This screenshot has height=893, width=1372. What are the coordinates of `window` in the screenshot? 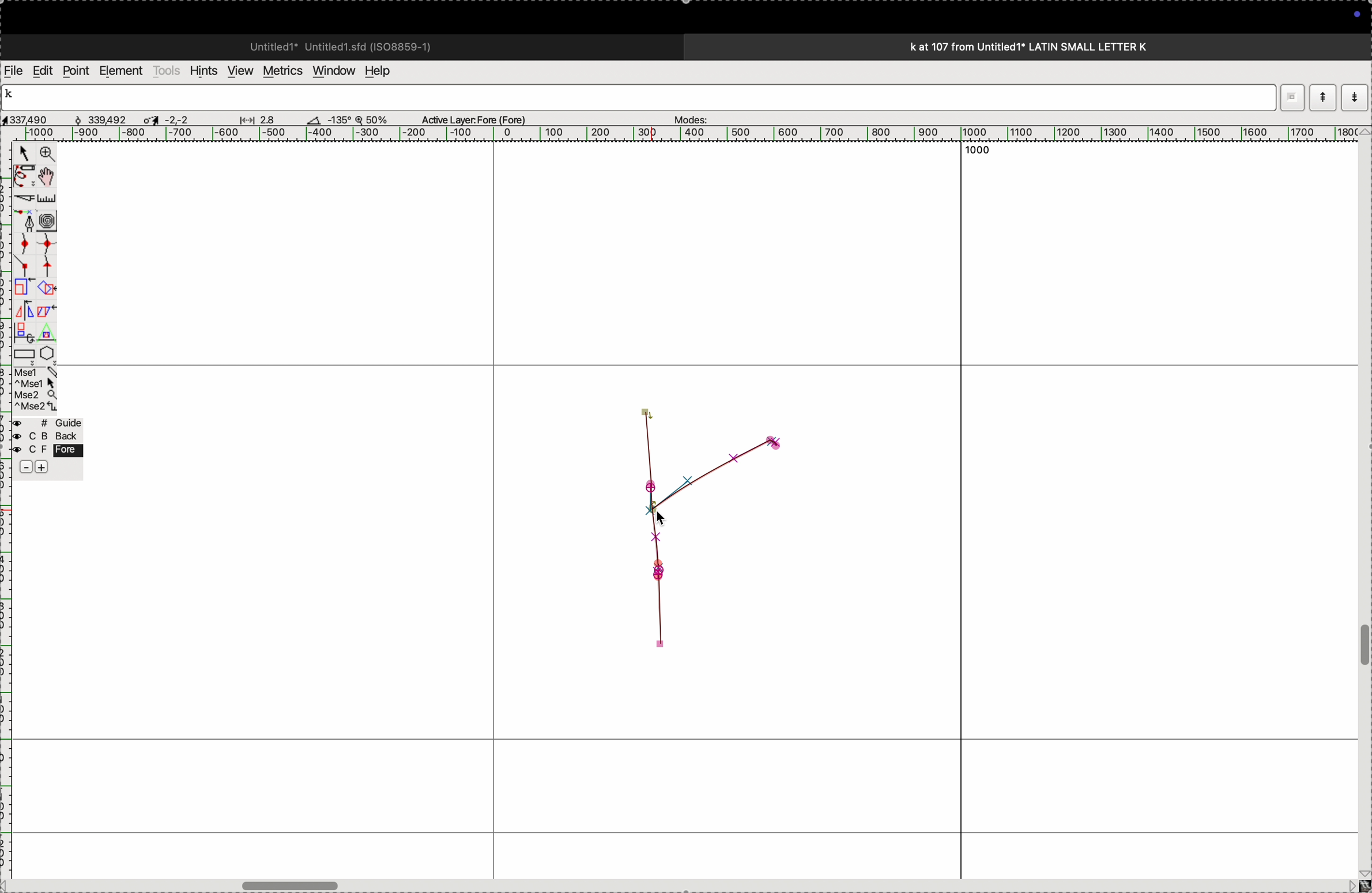 It's located at (331, 70).